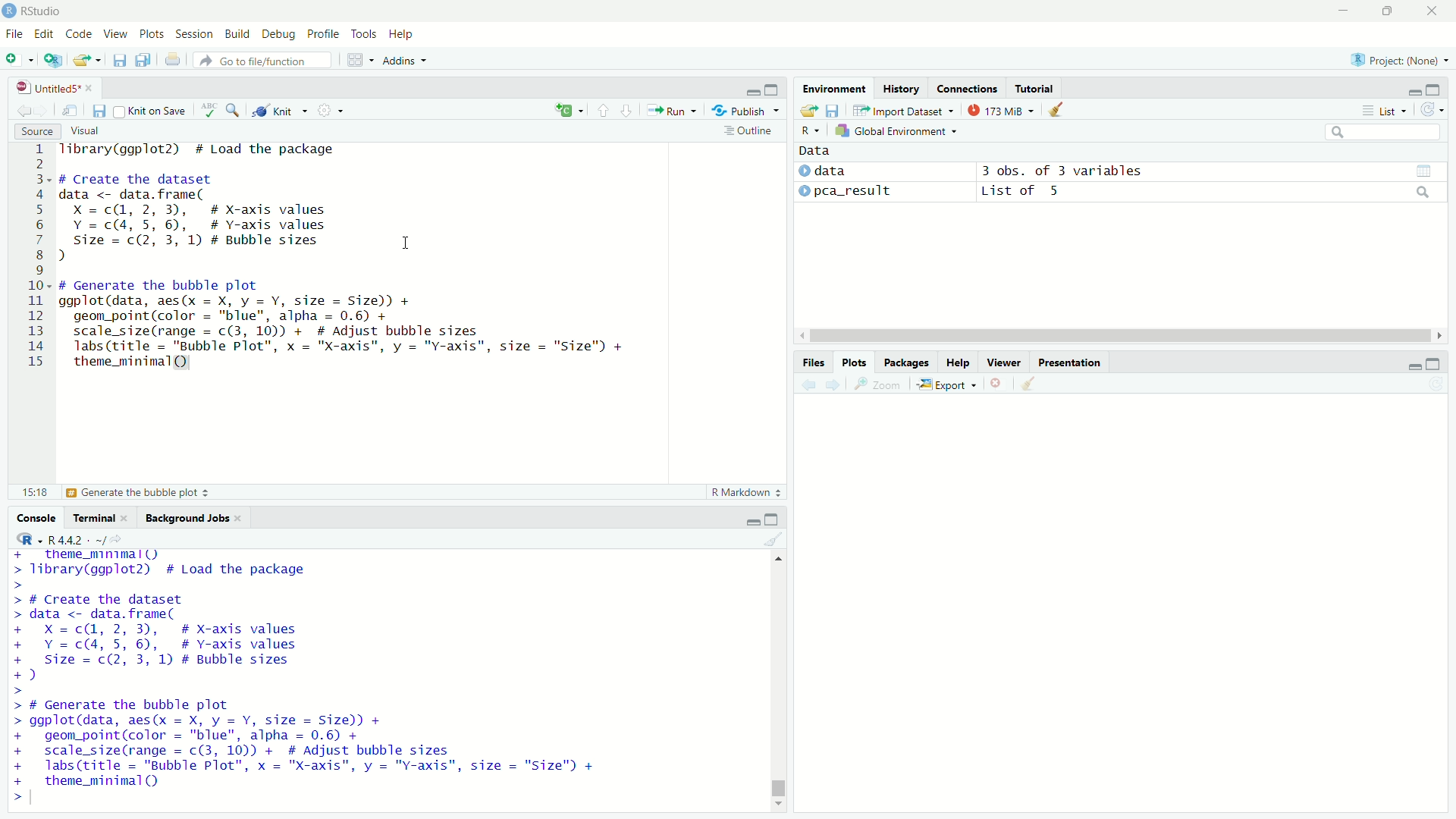 The height and width of the screenshot is (819, 1456). I want to click on maximize, so click(772, 519).